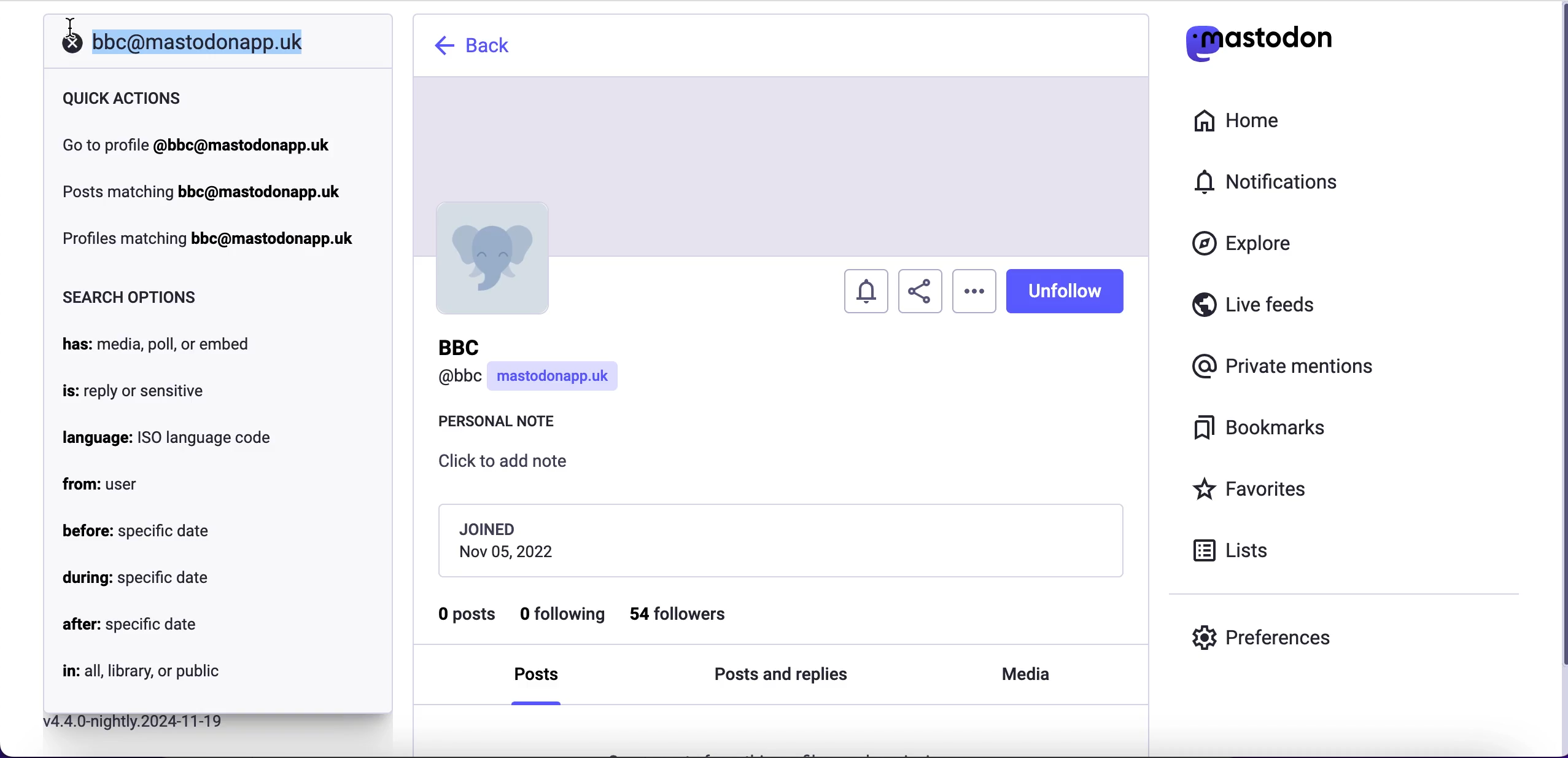  I want to click on notifications, so click(1272, 181).